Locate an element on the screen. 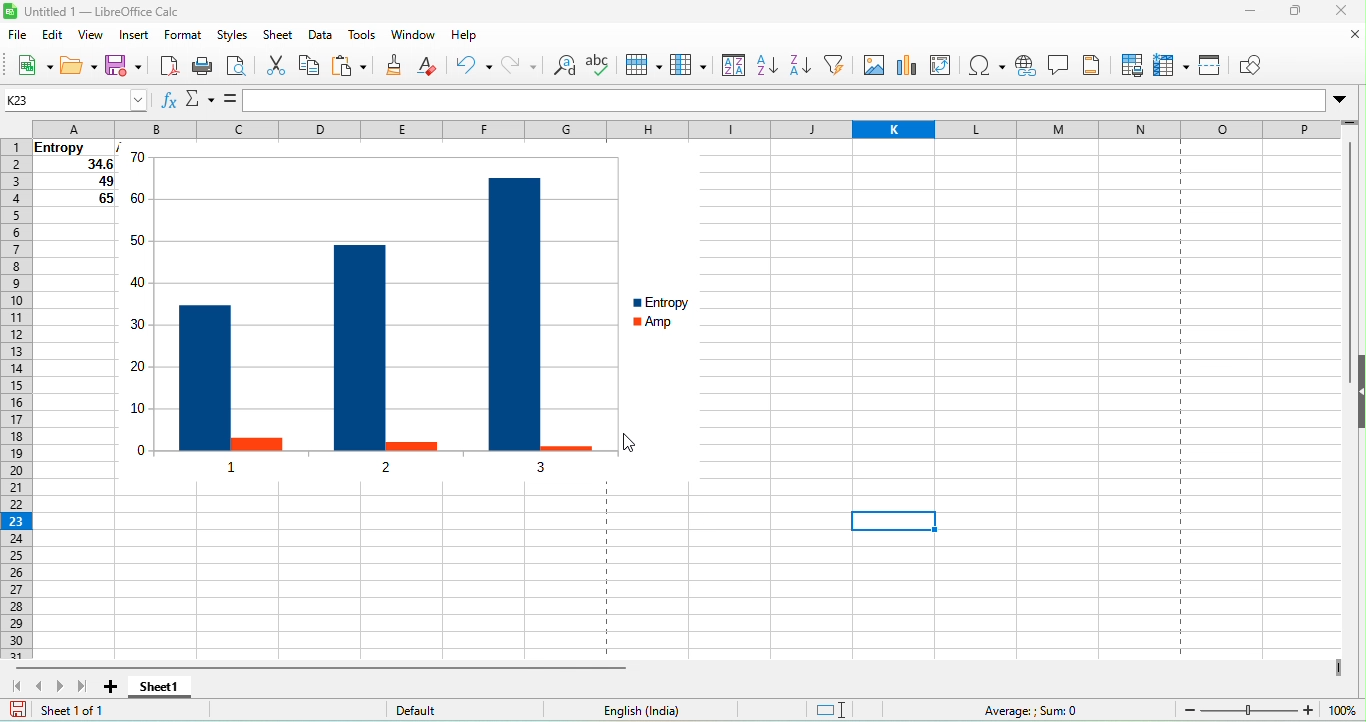 This screenshot has width=1366, height=722. close is located at coordinates (1344, 39).